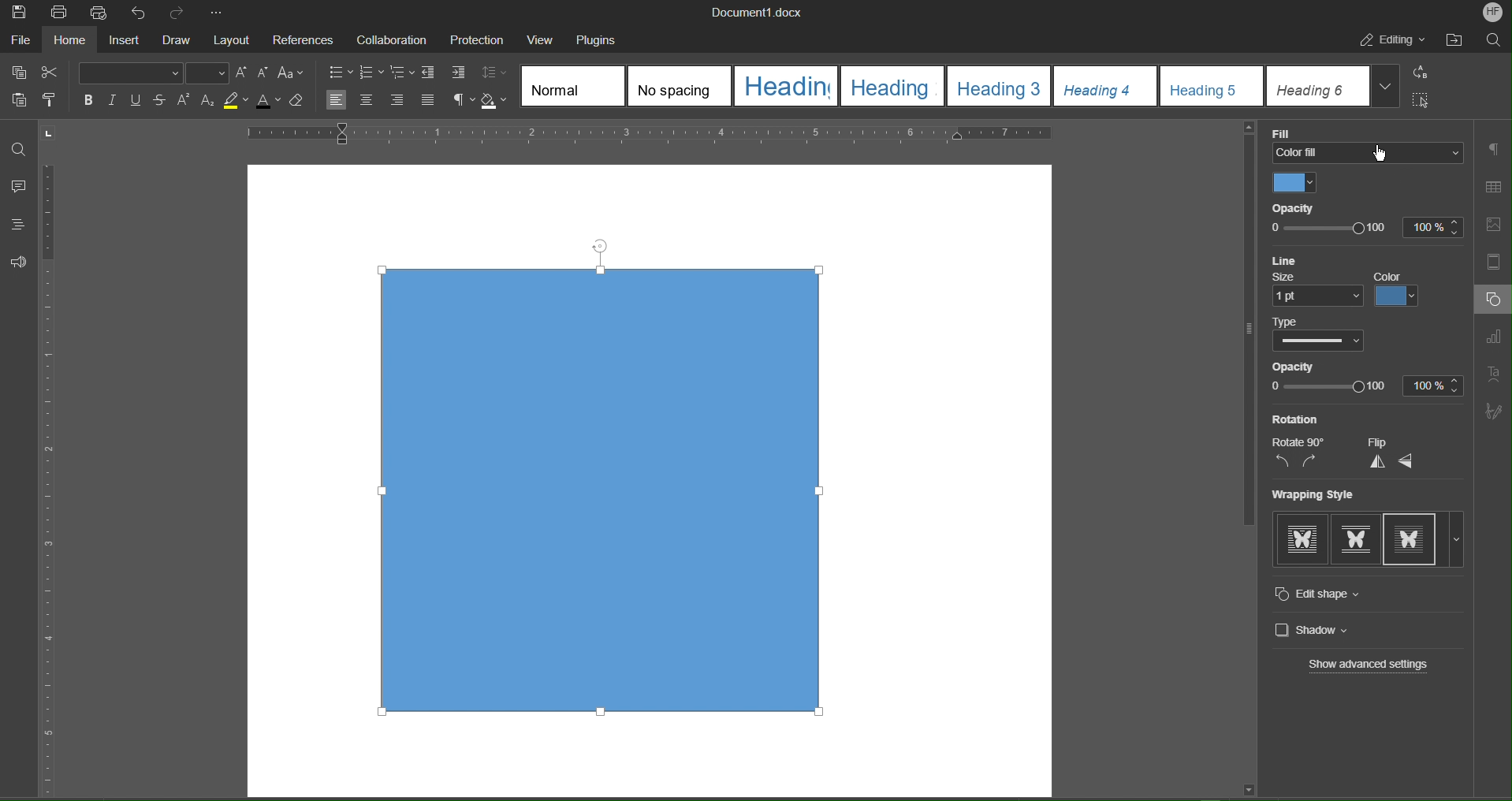  I want to click on 100%, so click(1435, 386).